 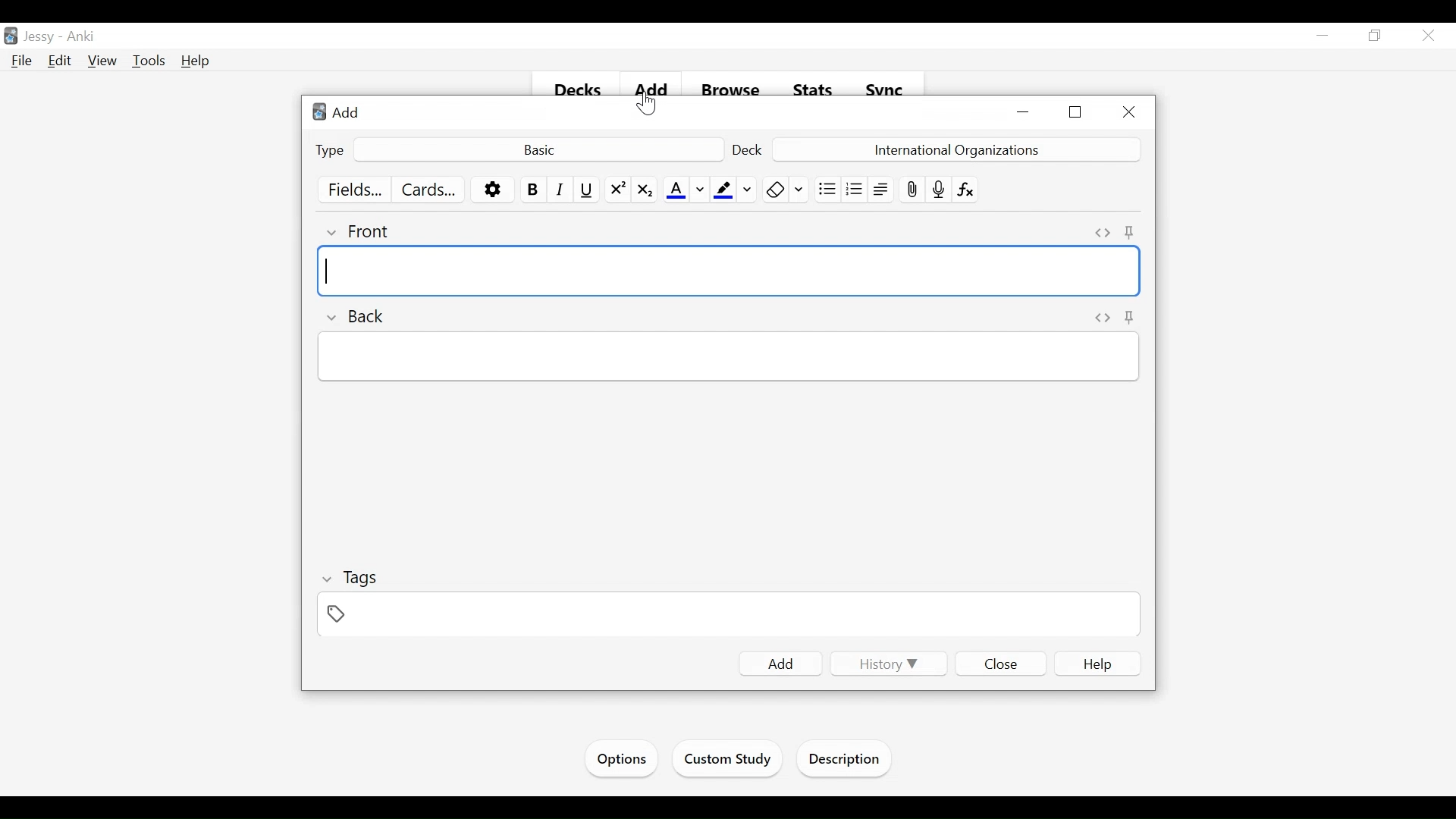 What do you see at coordinates (675, 190) in the screenshot?
I see `Text Color` at bounding box center [675, 190].